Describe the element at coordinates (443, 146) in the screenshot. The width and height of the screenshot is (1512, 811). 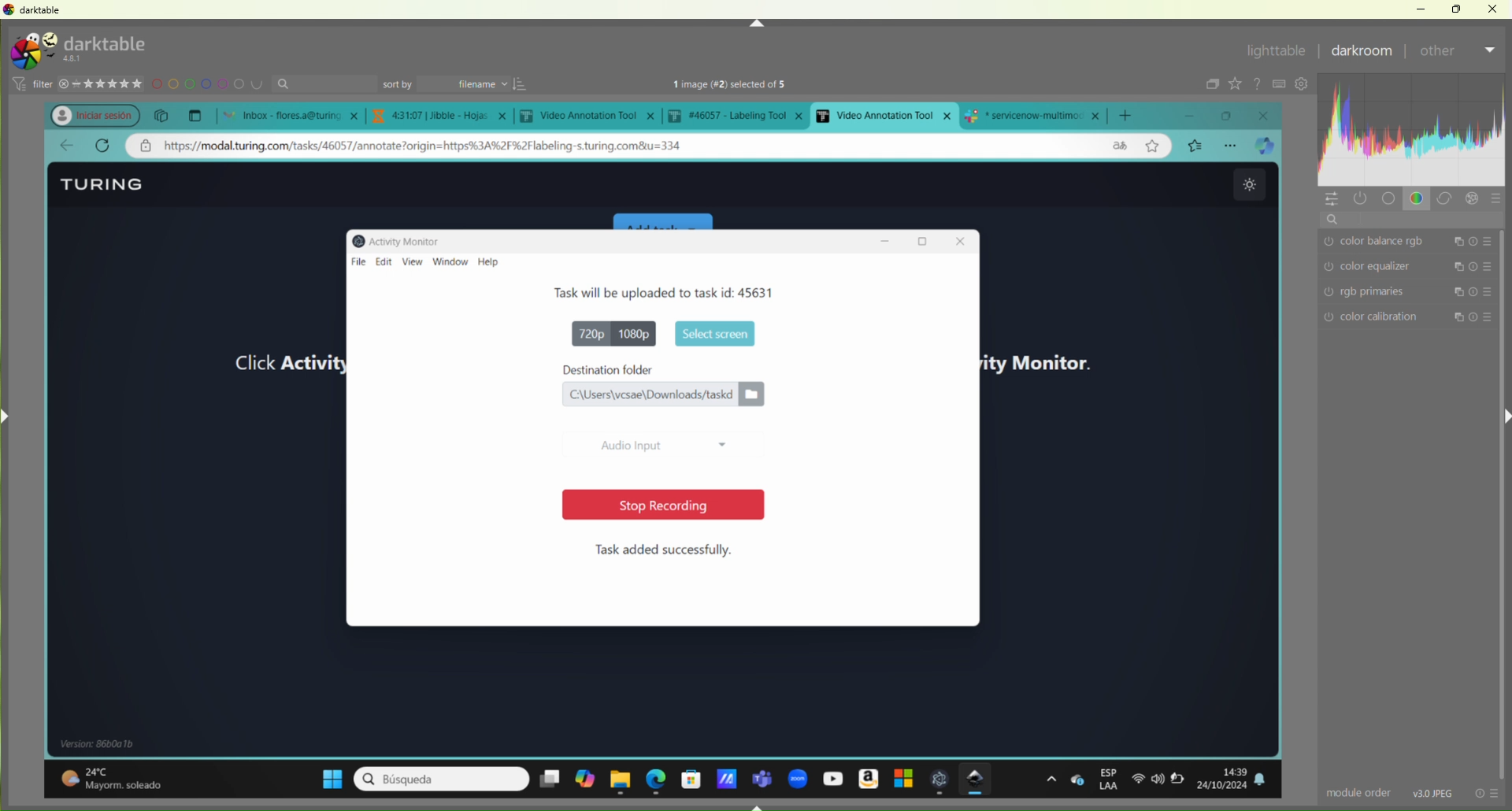
I see `web address` at that location.